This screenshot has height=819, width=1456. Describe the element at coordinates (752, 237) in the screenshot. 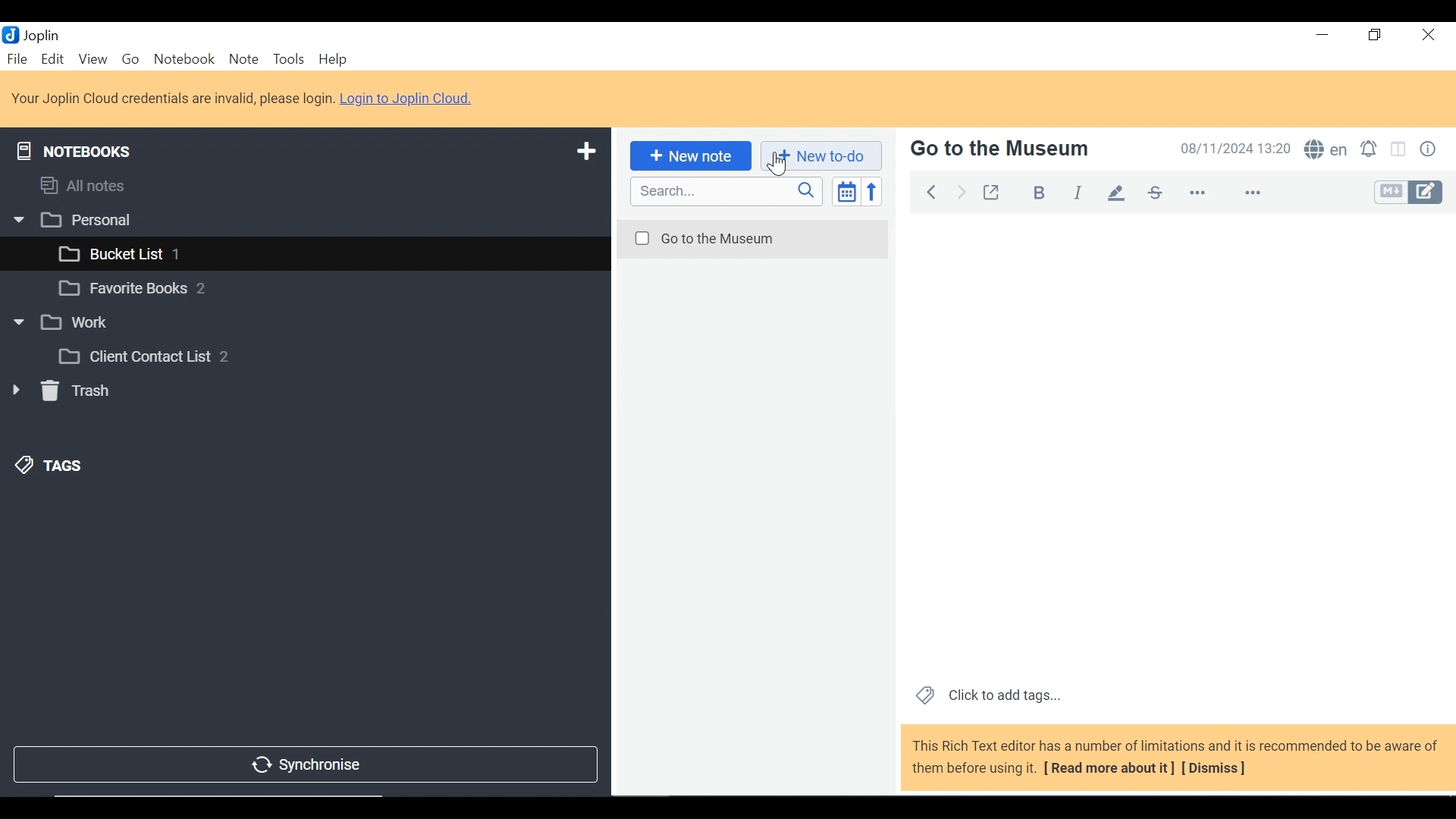

I see `Note Name` at that location.